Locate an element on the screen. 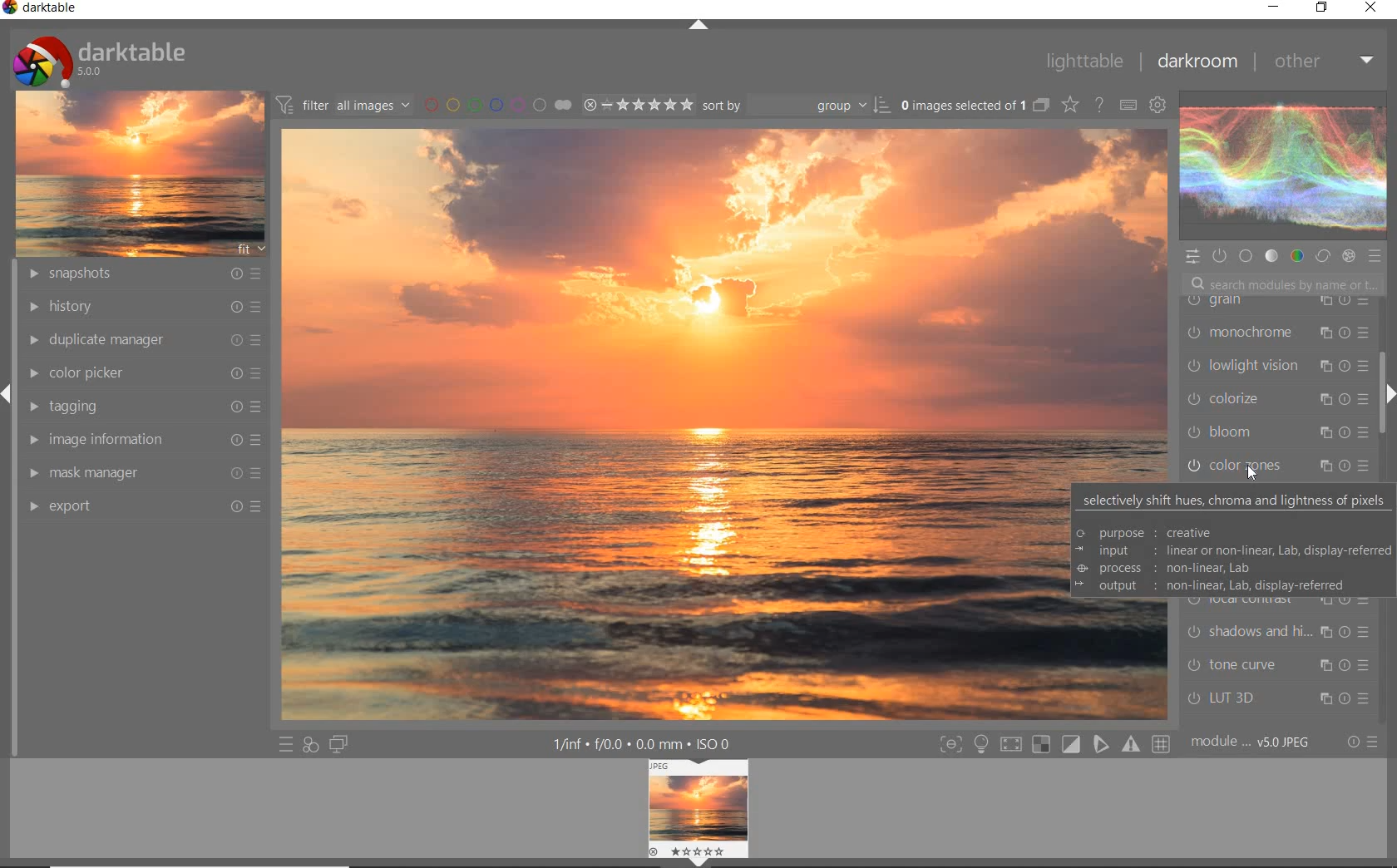  define keyboard shortcut is located at coordinates (1127, 104).